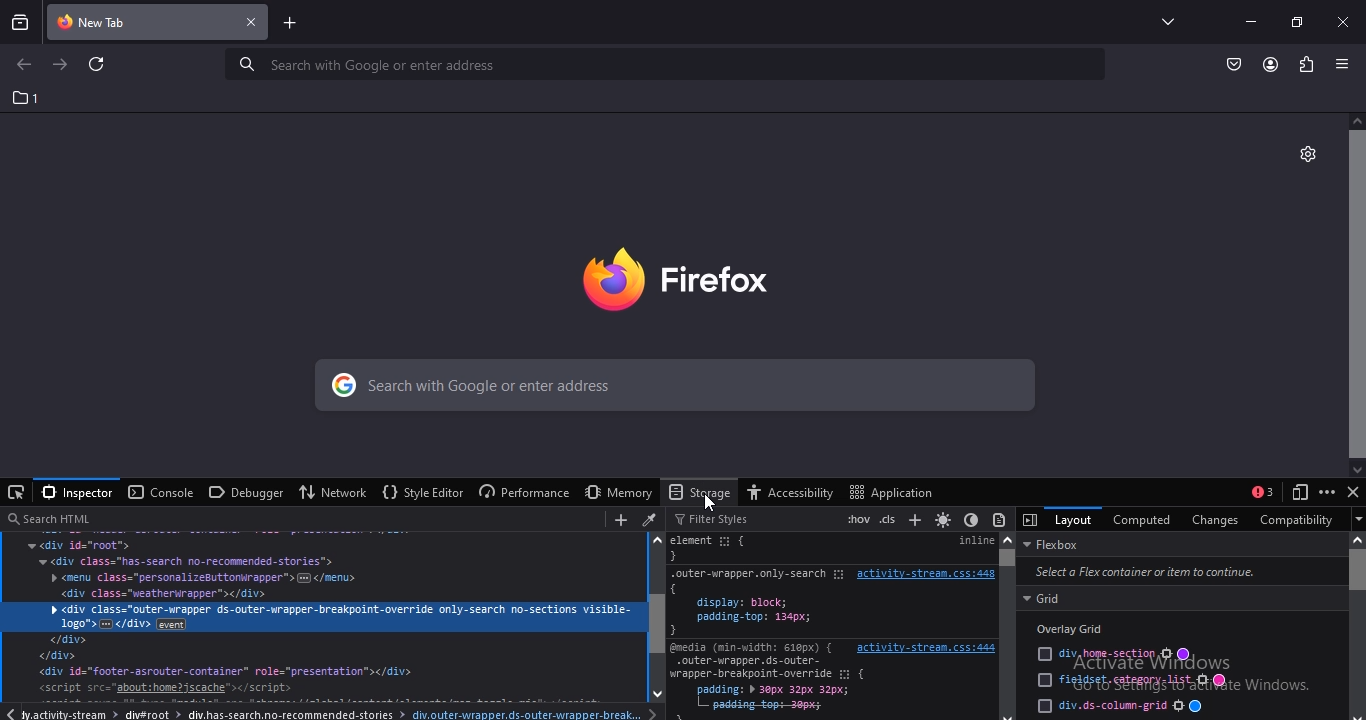  I want to click on current tab, so click(159, 24).